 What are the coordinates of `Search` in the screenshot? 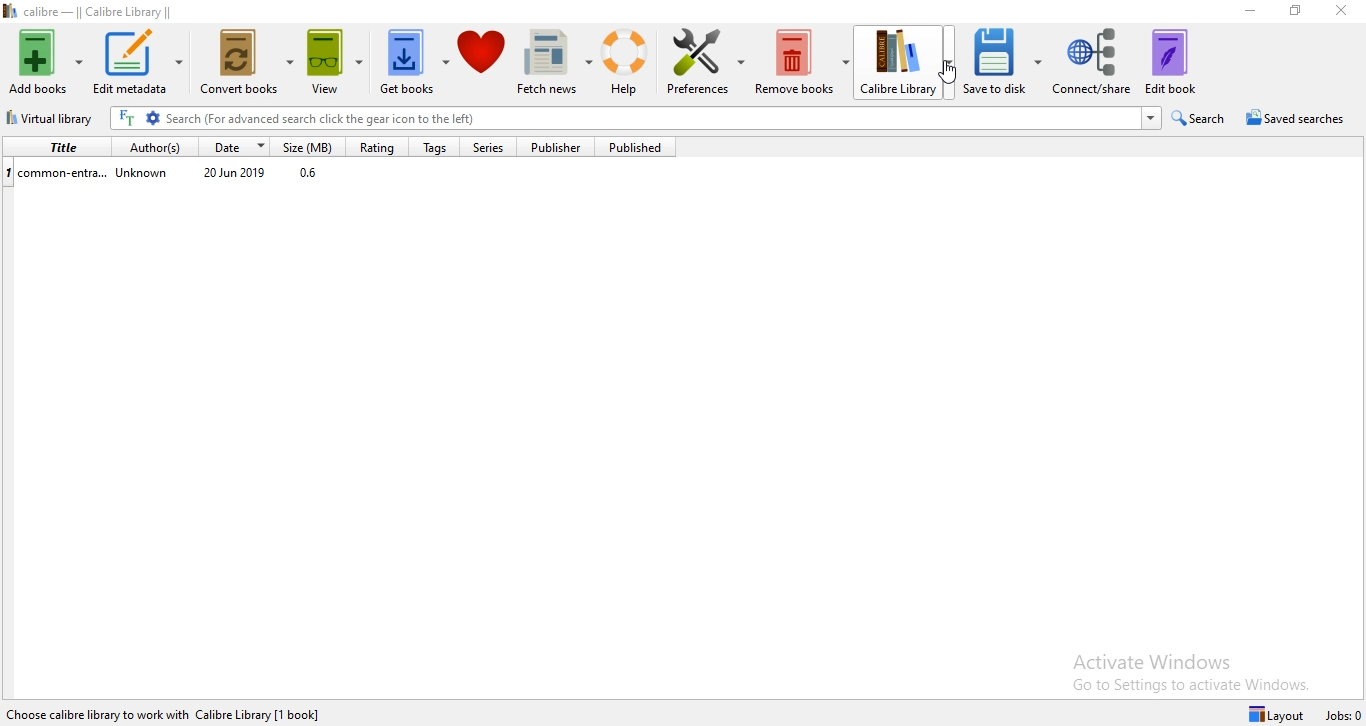 It's located at (1203, 118).